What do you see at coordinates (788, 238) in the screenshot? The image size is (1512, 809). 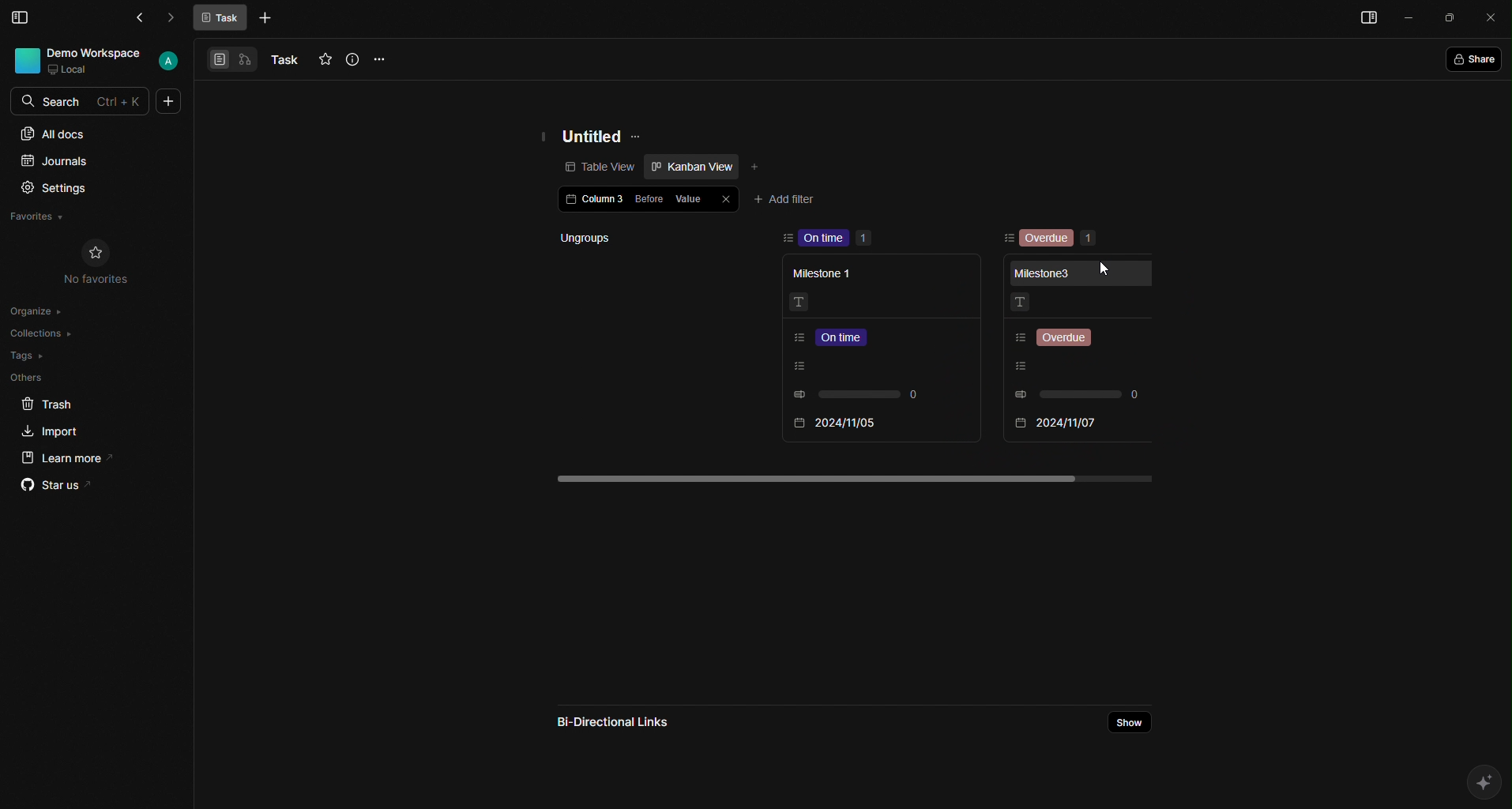 I see `sort` at bounding box center [788, 238].